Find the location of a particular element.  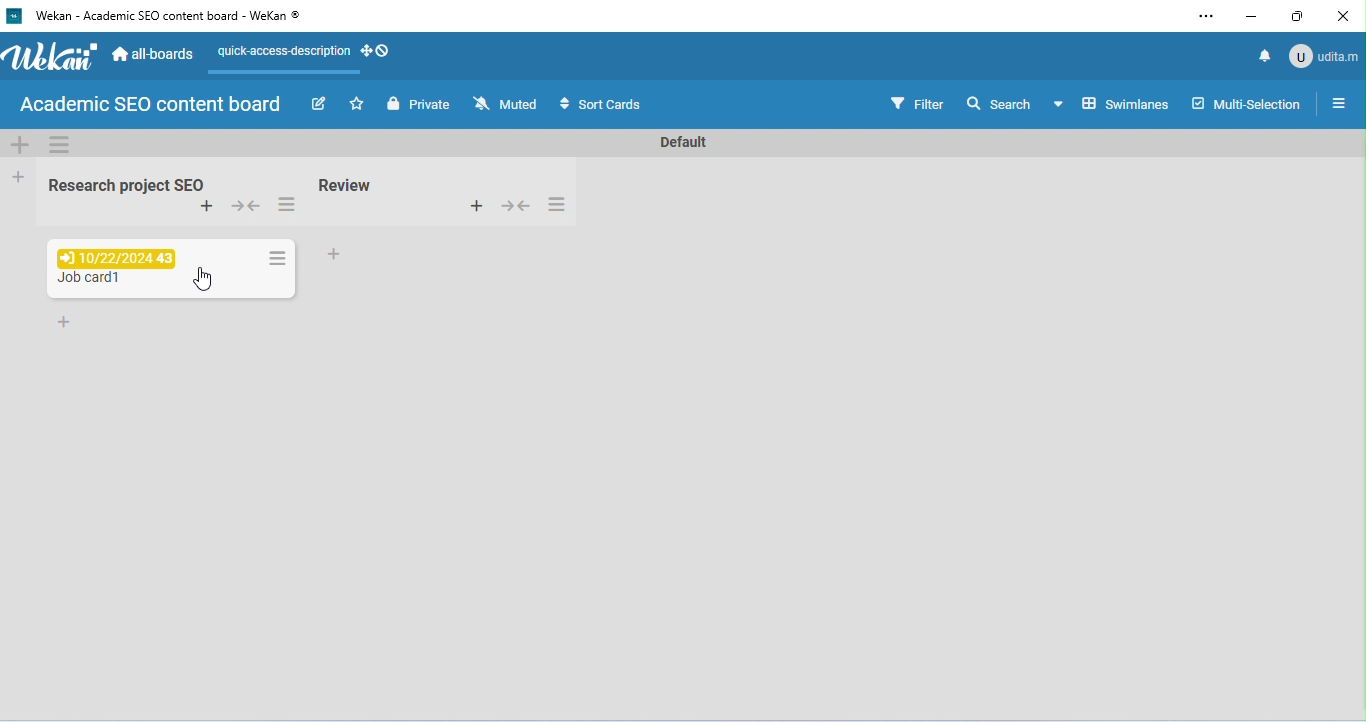

card options is located at coordinates (277, 258).